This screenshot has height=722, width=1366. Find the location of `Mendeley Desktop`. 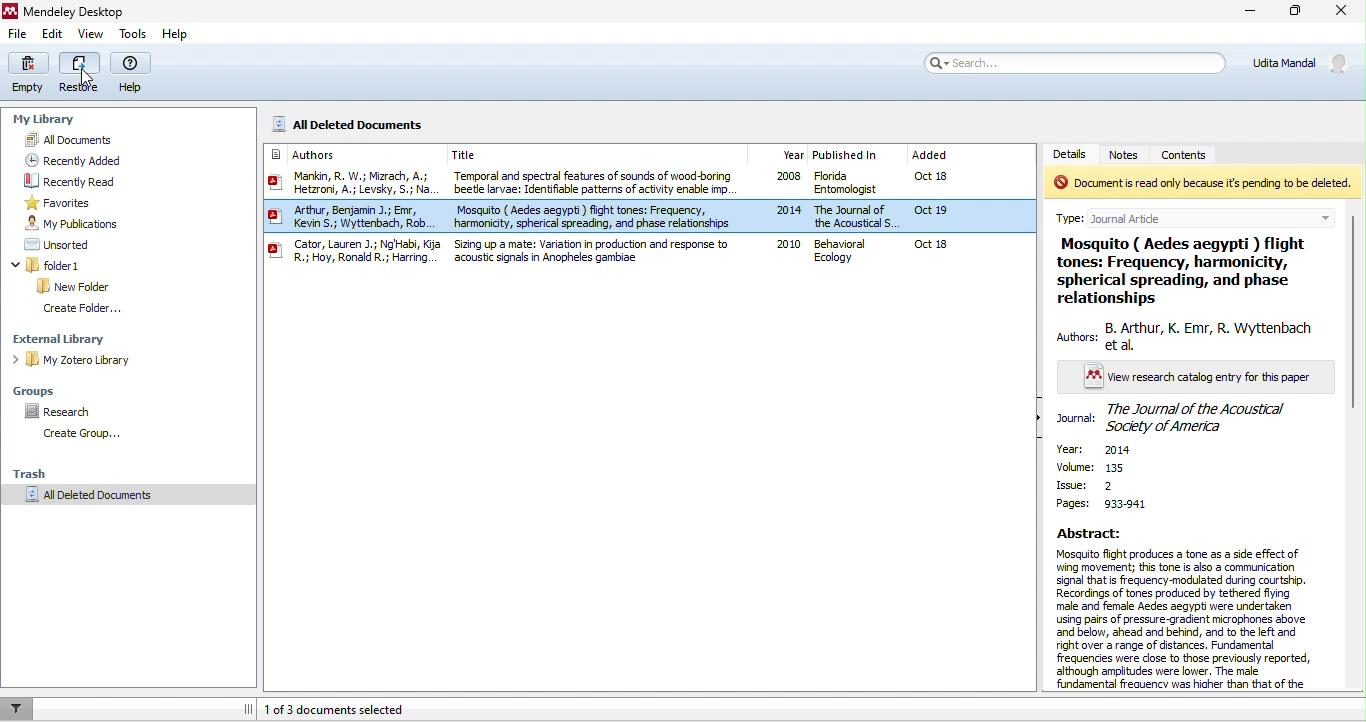

Mendeley Desktop is located at coordinates (67, 11).